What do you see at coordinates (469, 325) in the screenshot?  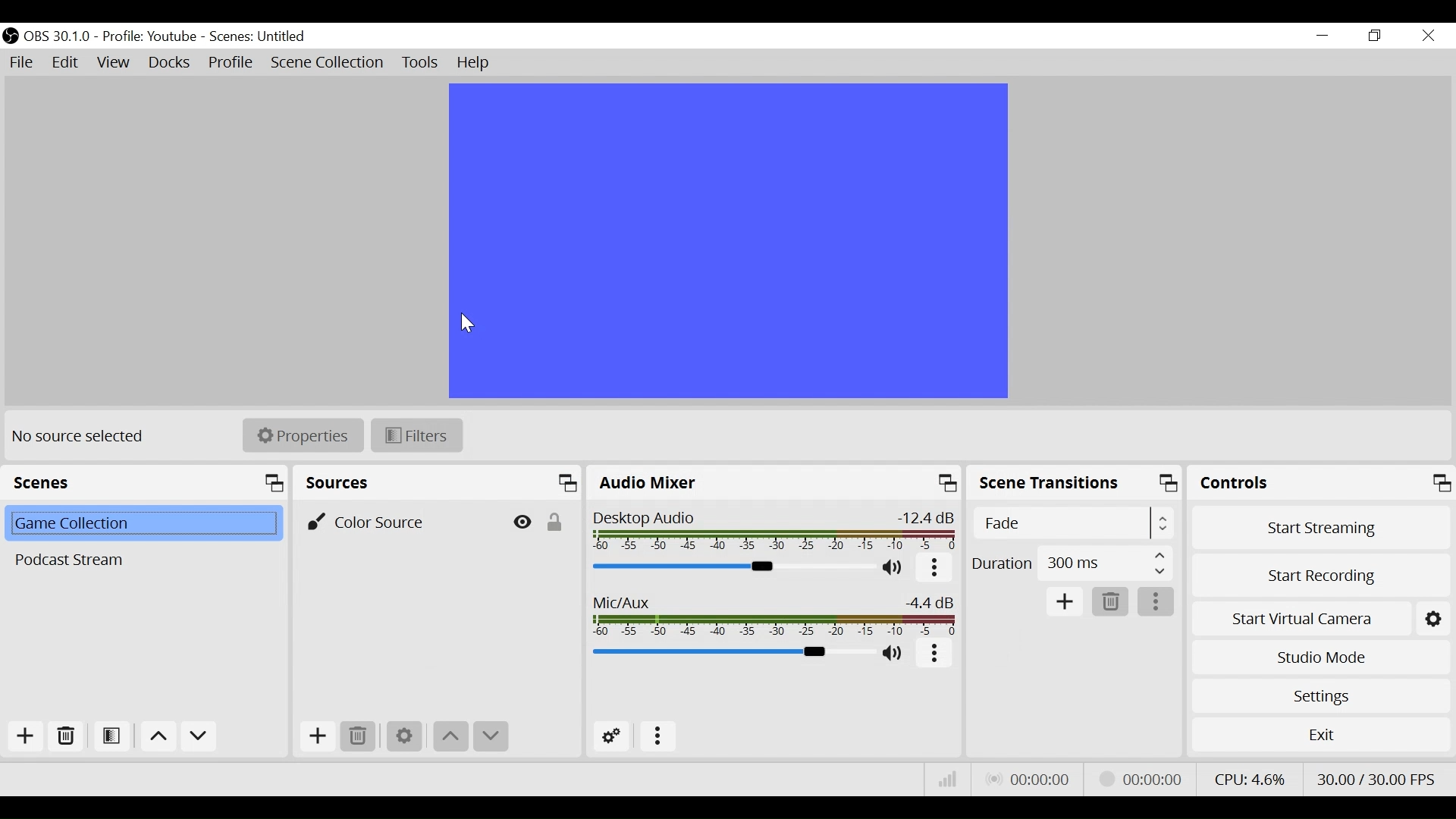 I see `Cursor` at bounding box center [469, 325].